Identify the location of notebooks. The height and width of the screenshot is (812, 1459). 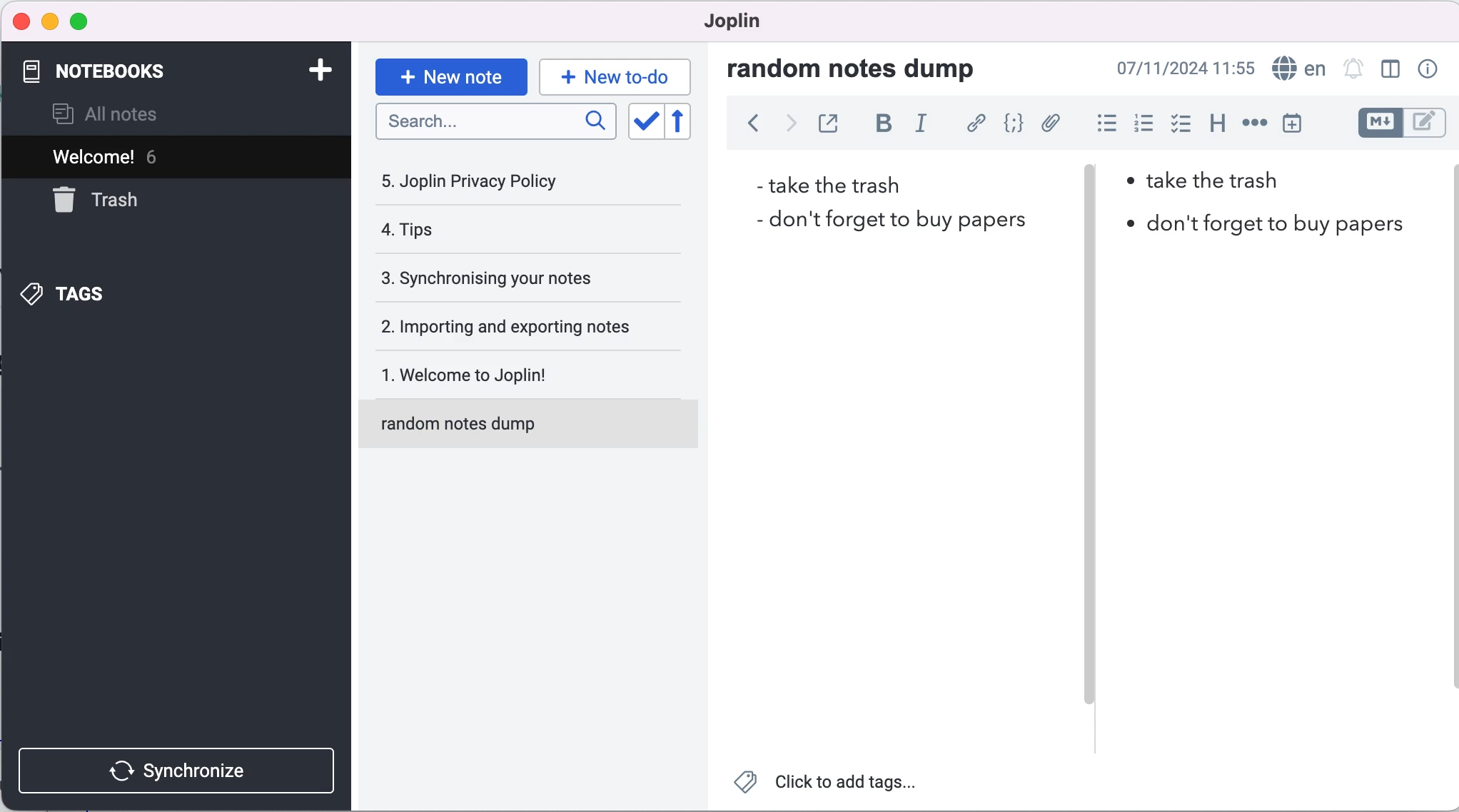
(141, 72).